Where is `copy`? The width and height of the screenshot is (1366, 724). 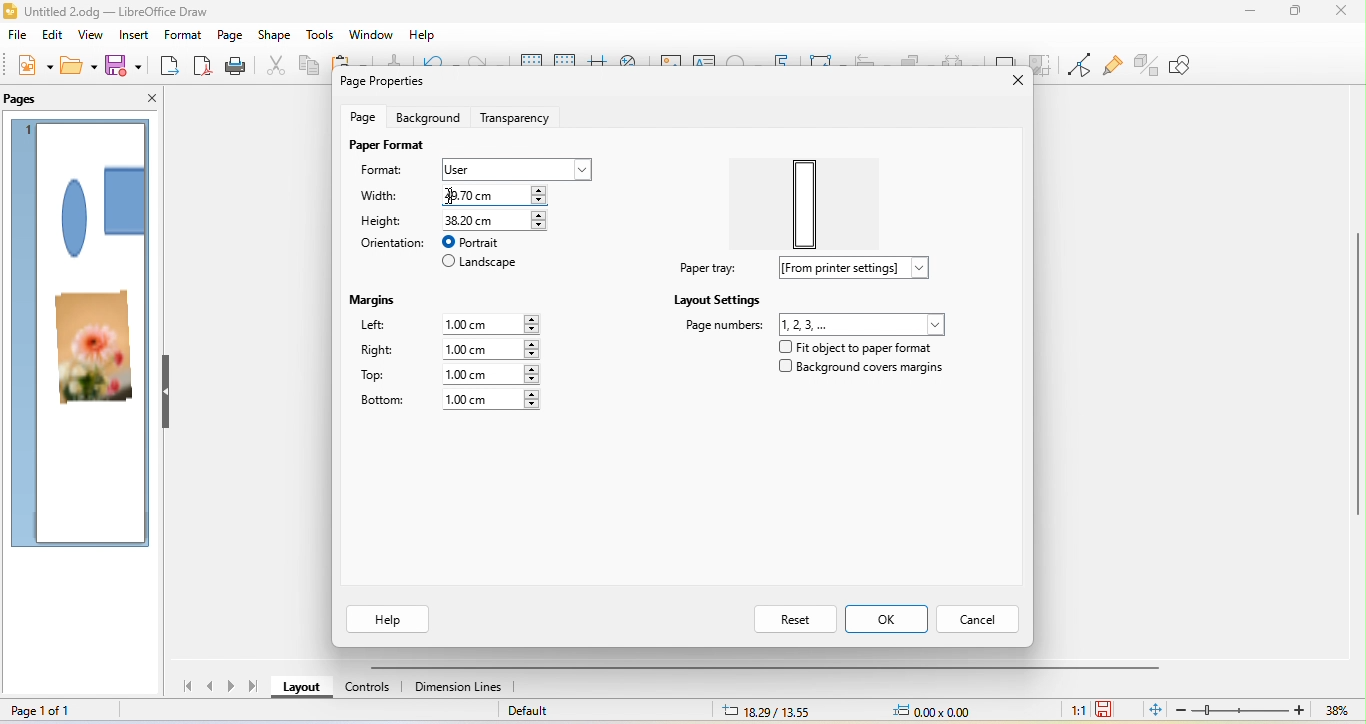
copy is located at coordinates (310, 67).